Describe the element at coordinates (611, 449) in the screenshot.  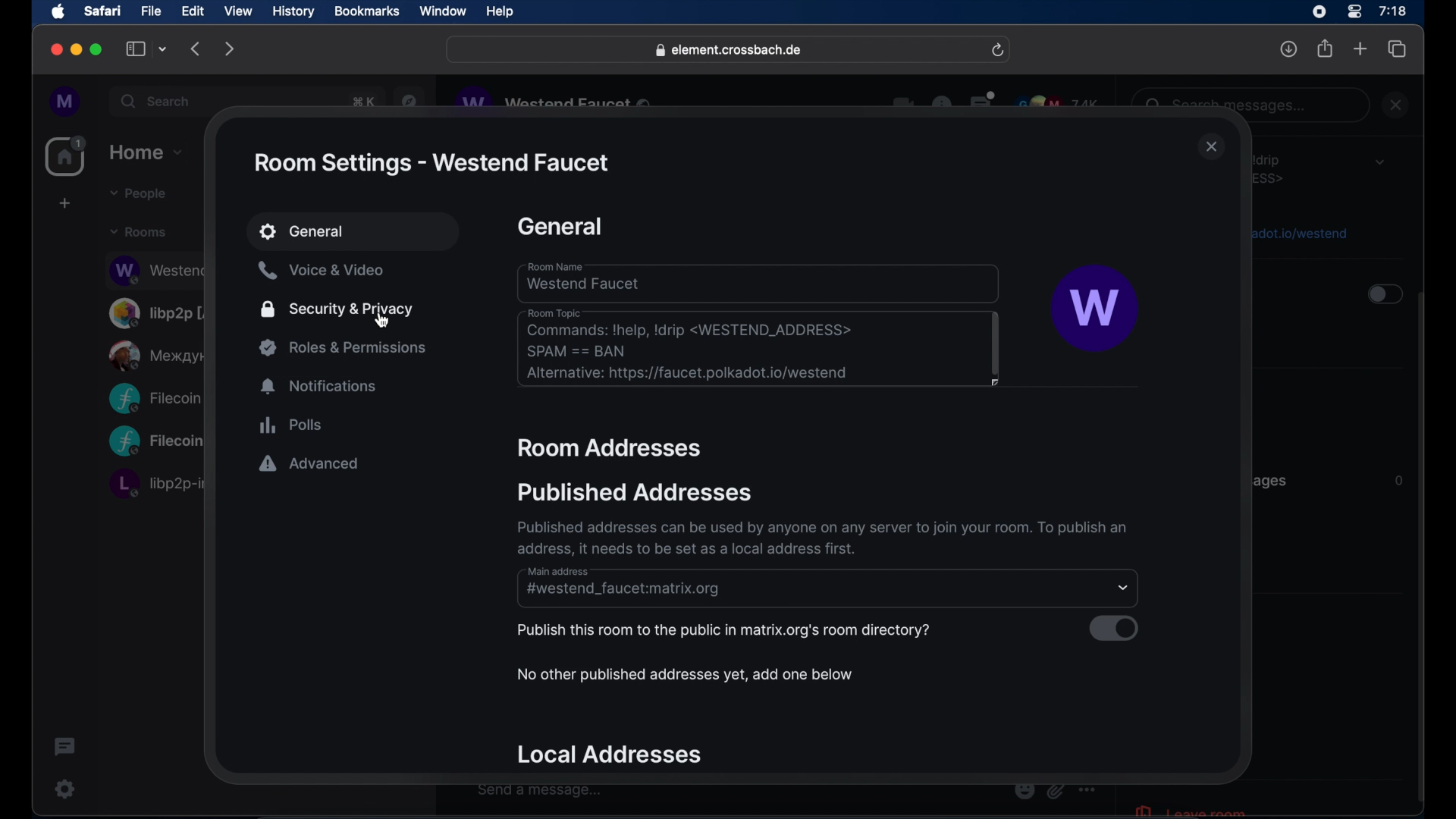
I see `room addresses` at that location.